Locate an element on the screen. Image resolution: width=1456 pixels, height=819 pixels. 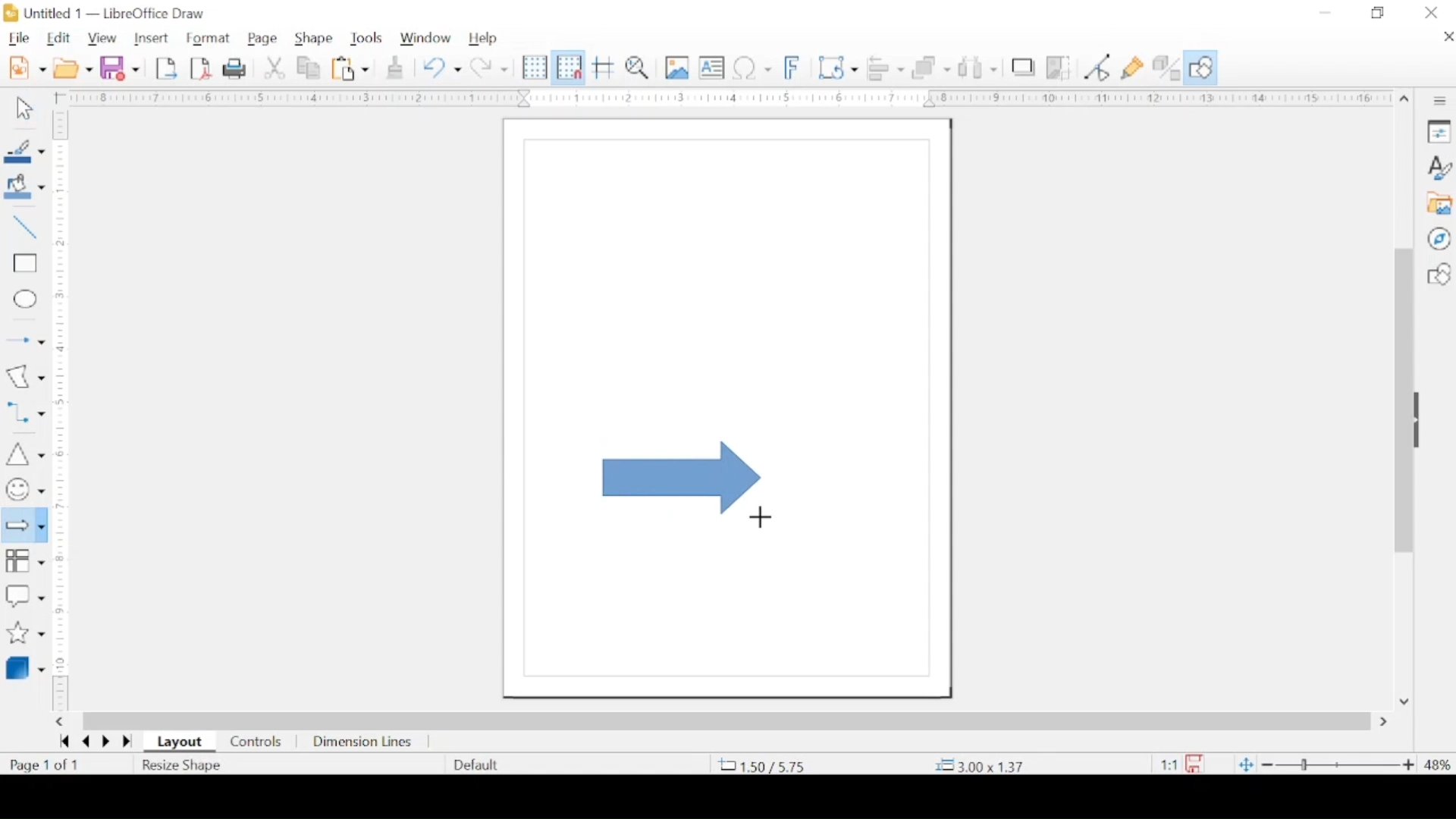
undo is located at coordinates (442, 67).